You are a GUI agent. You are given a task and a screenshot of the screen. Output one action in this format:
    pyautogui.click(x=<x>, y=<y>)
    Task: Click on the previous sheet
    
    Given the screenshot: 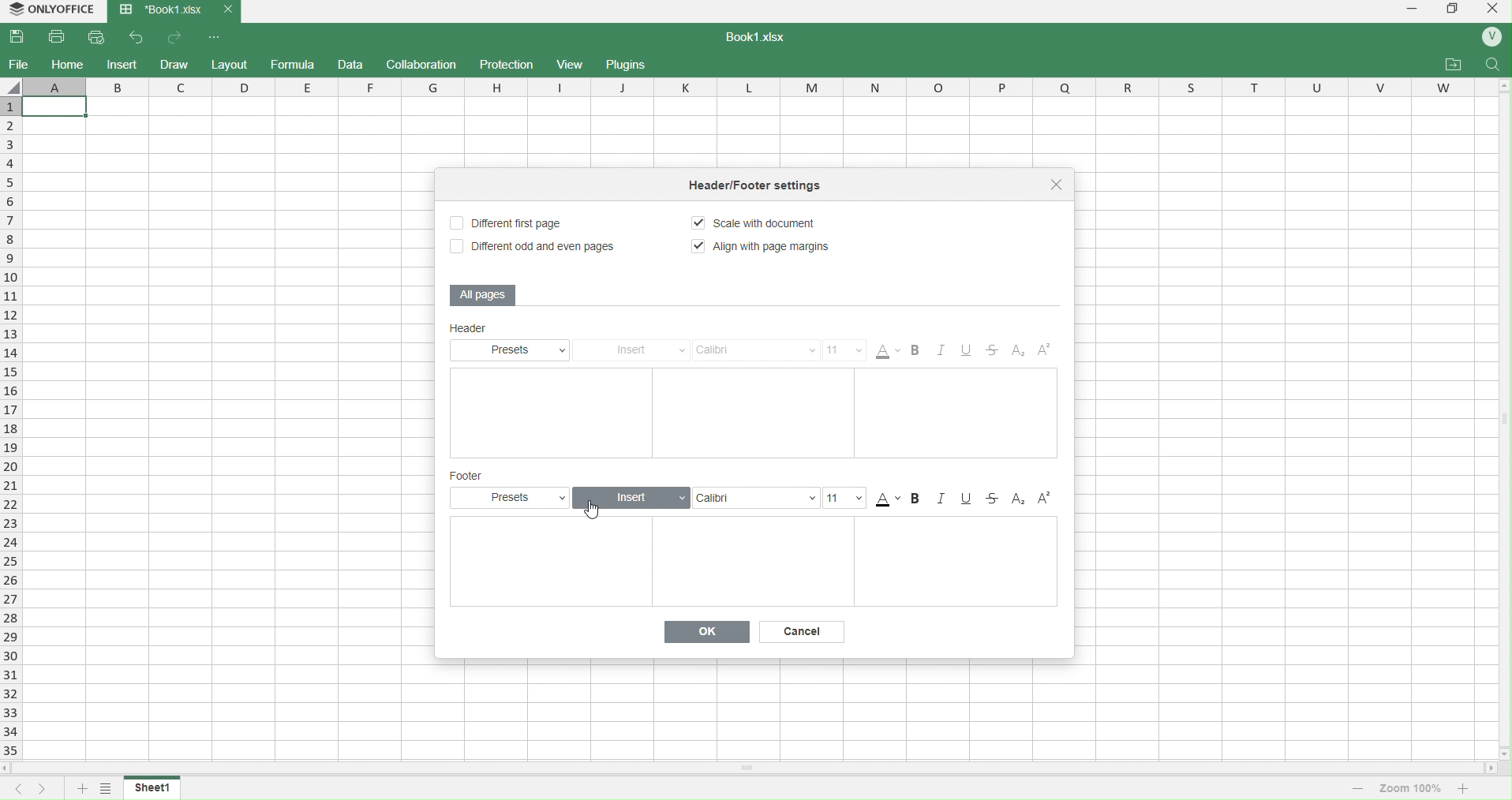 What is the action you would take?
    pyautogui.click(x=13, y=789)
    